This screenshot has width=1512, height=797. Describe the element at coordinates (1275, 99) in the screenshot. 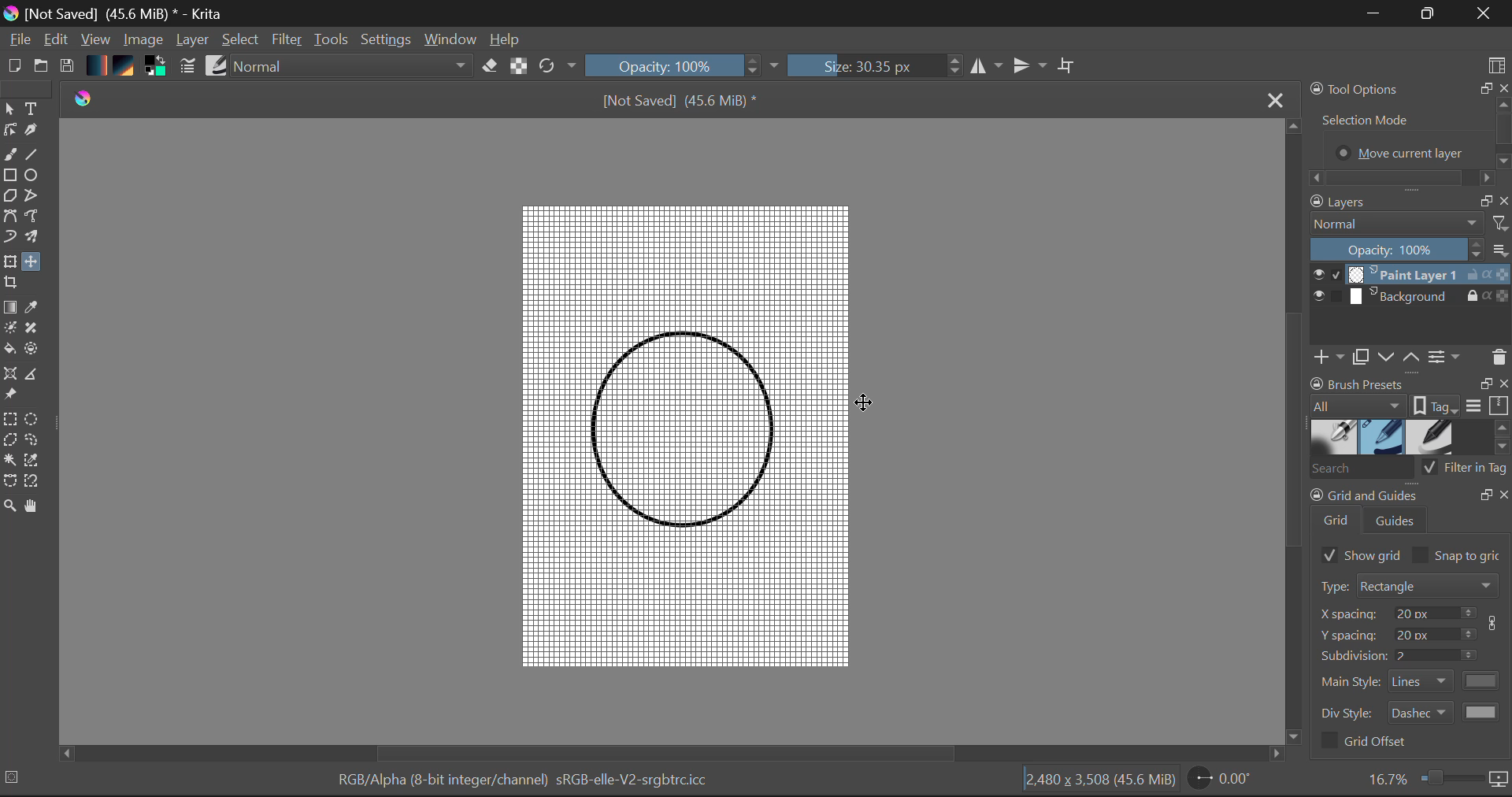

I see `Close` at that location.